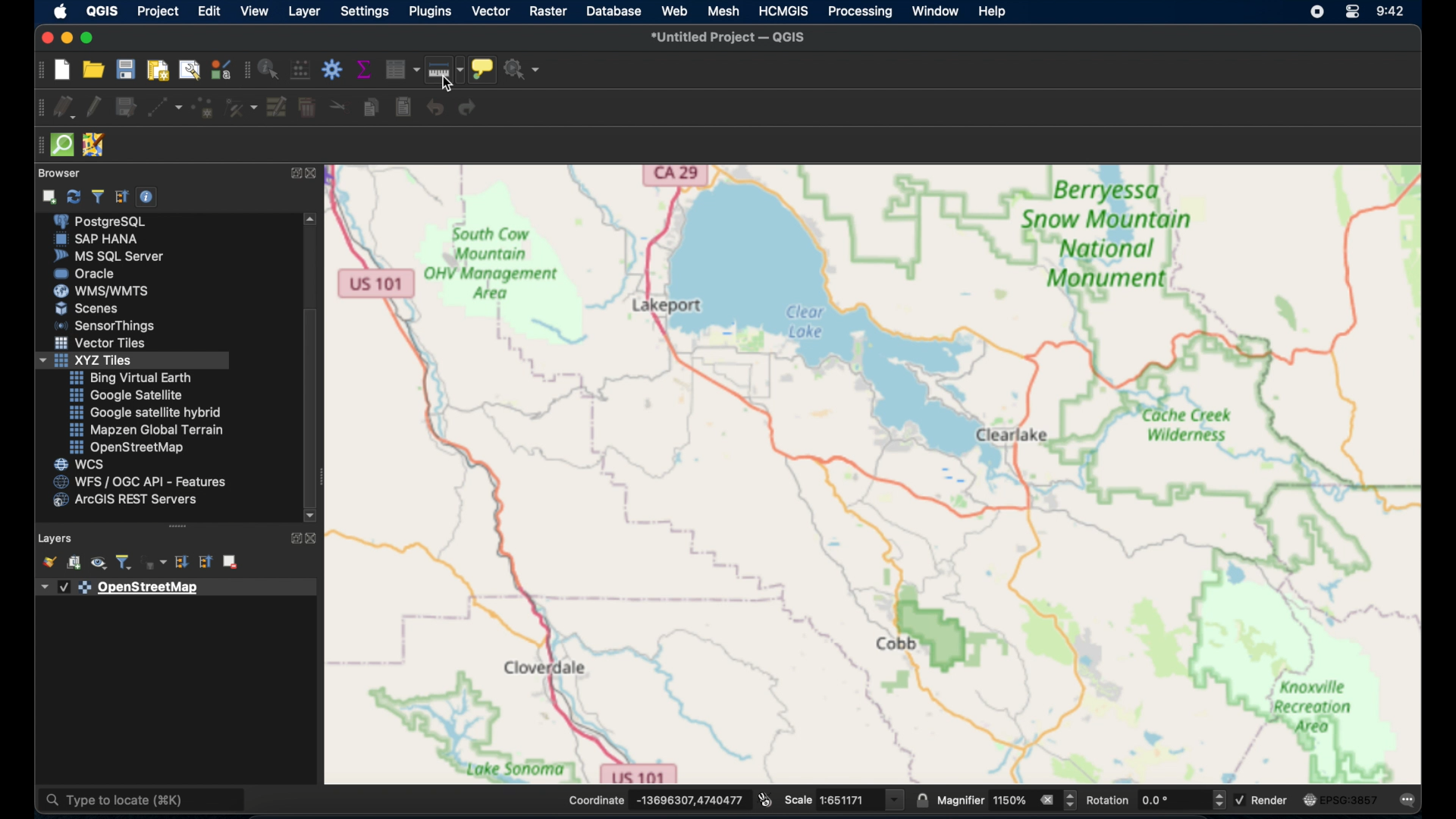  Describe the element at coordinates (102, 11) in the screenshot. I see `QGIS` at that location.